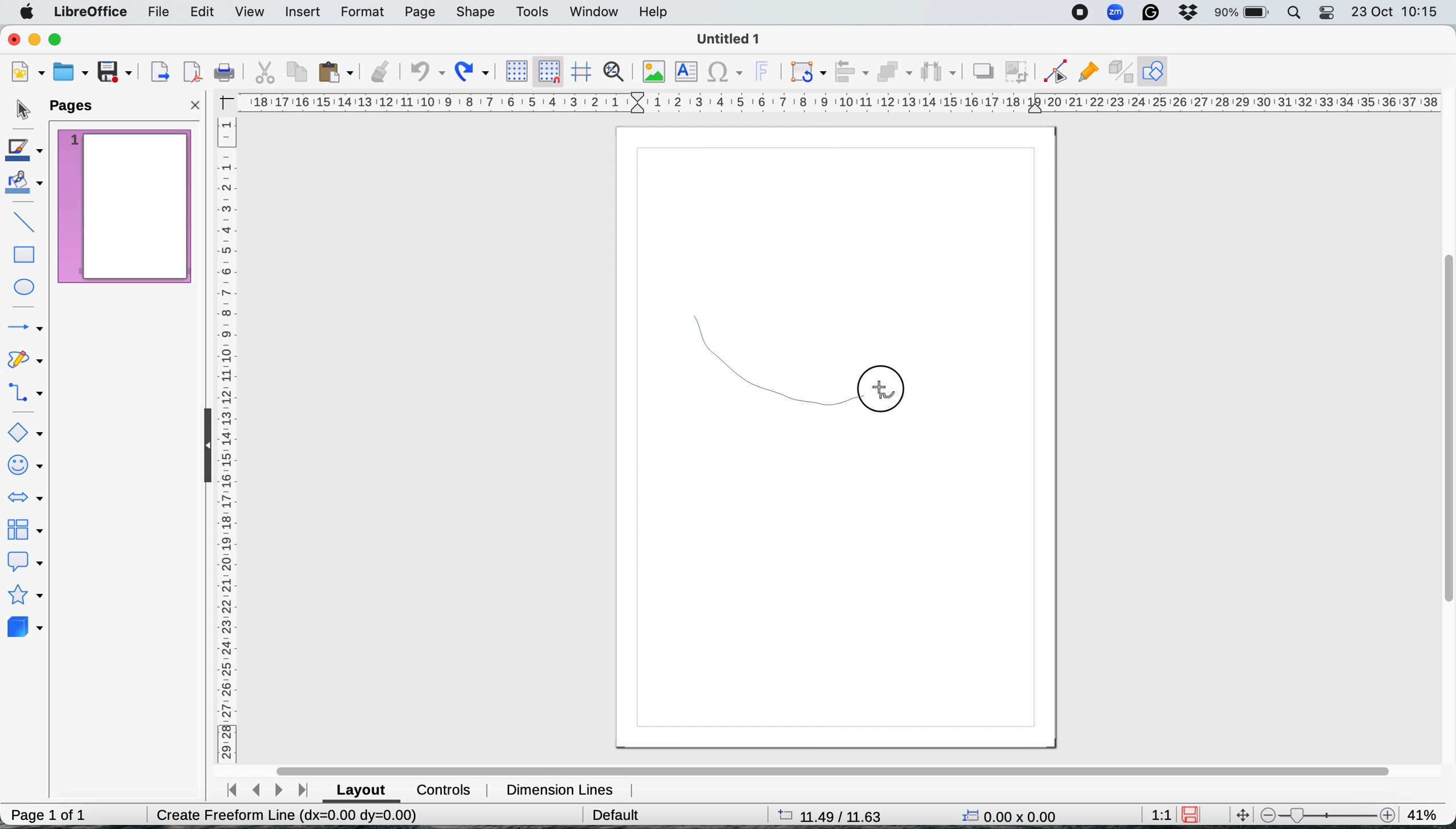  What do you see at coordinates (1158, 814) in the screenshot?
I see `aspect ratio` at bounding box center [1158, 814].